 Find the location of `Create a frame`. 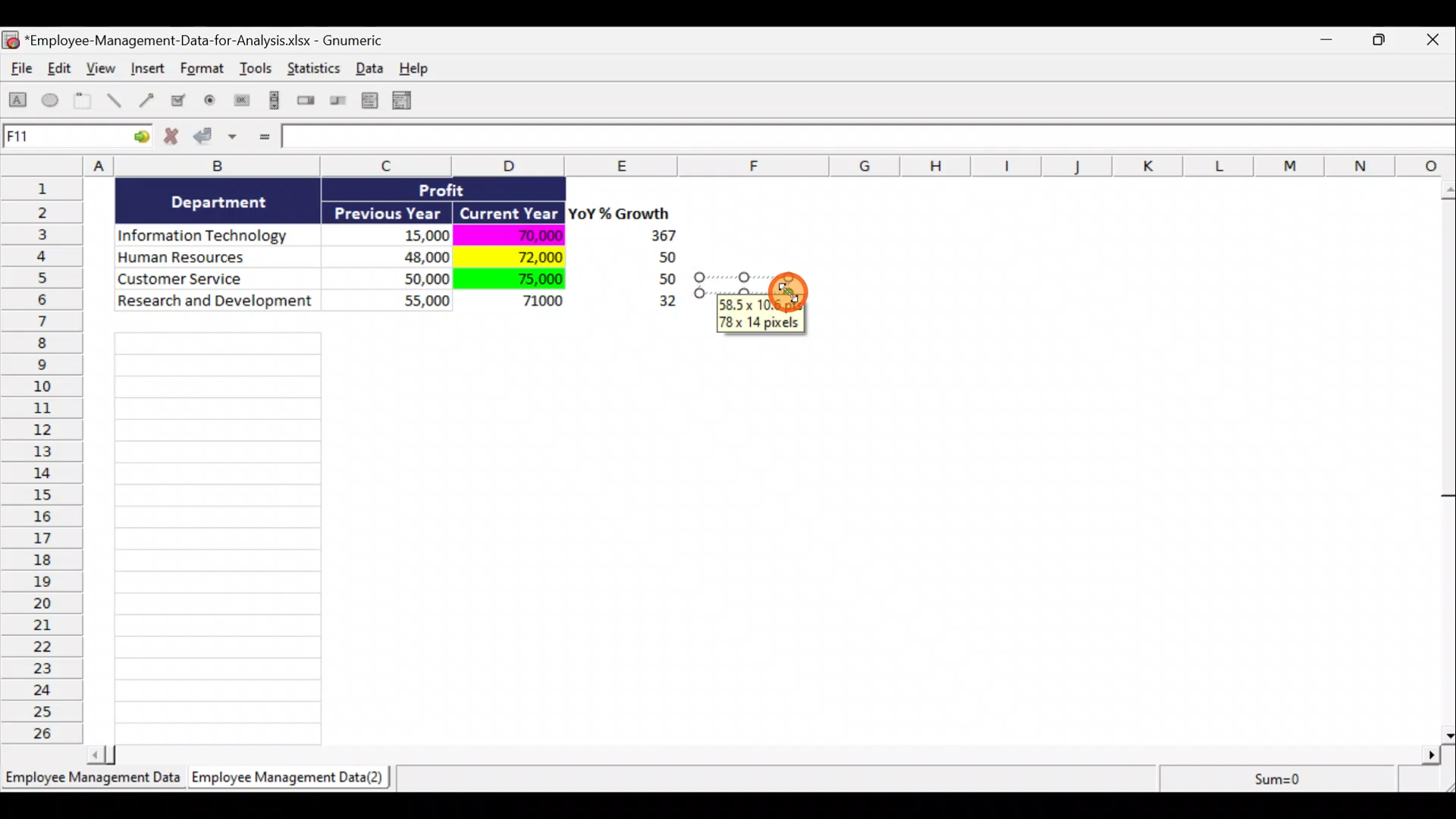

Create a frame is located at coordinates (83, 102).